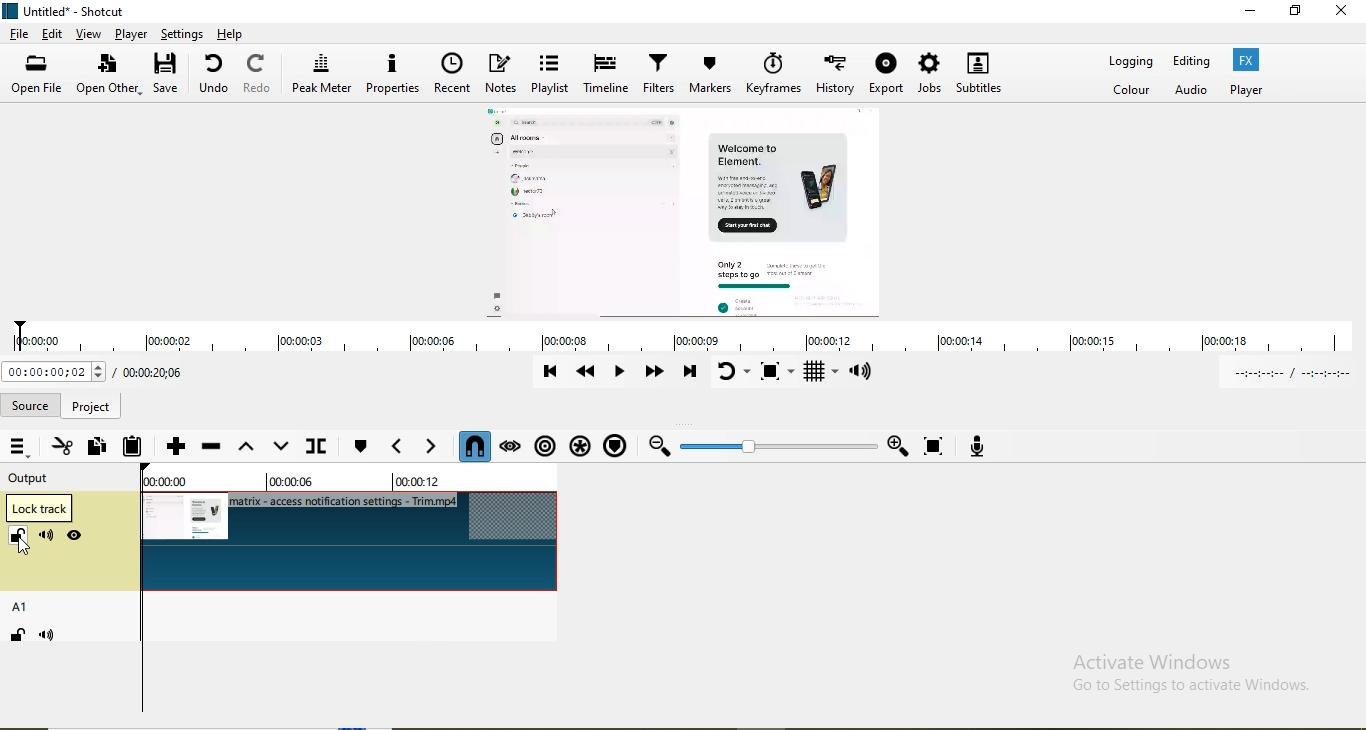 The height and width of the screenshot is (730, 1366). I want to click on Zoom out, so click(658, 446).